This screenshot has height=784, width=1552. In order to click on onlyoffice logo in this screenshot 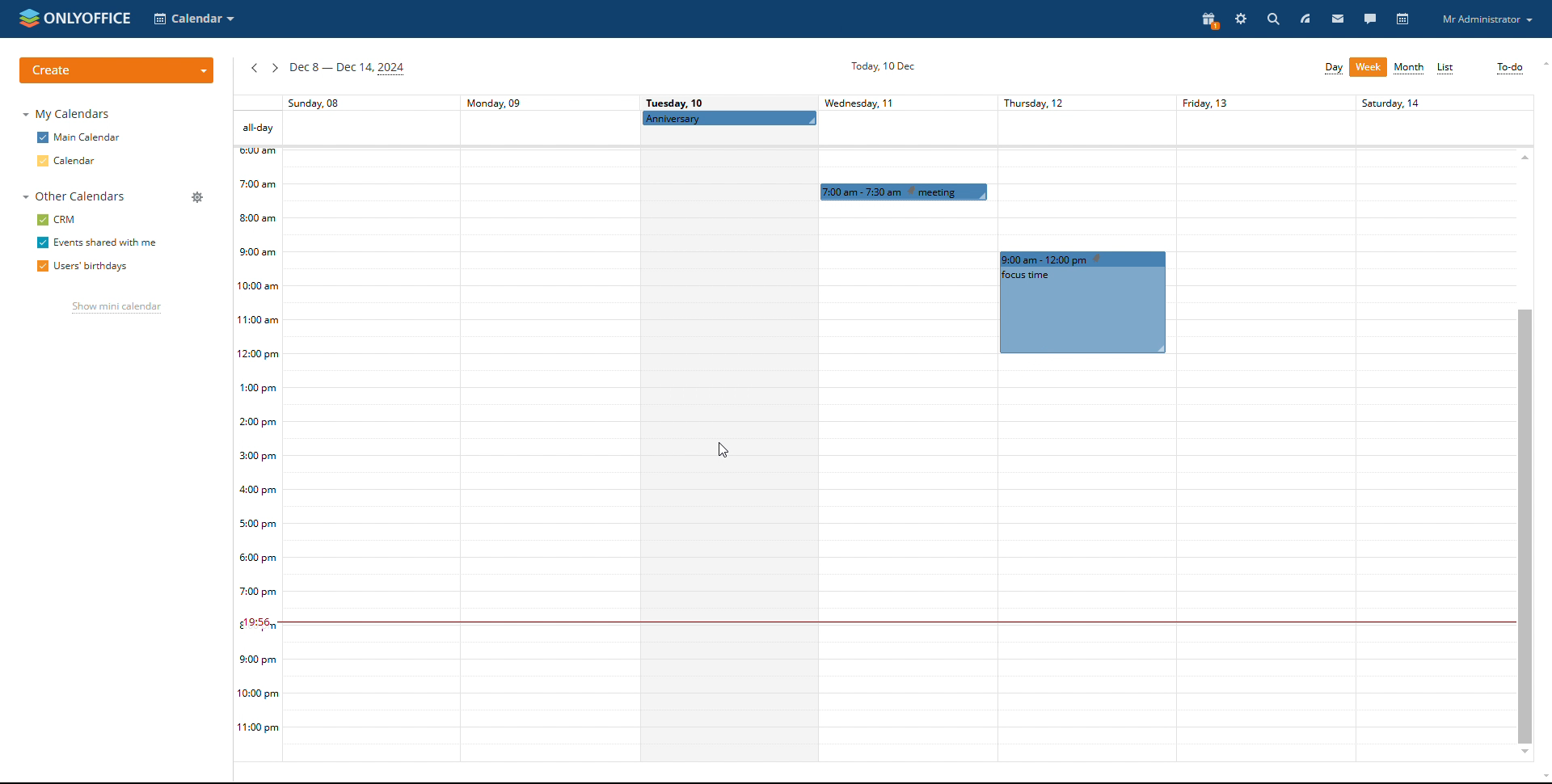, I will do `click(27, 19)`.